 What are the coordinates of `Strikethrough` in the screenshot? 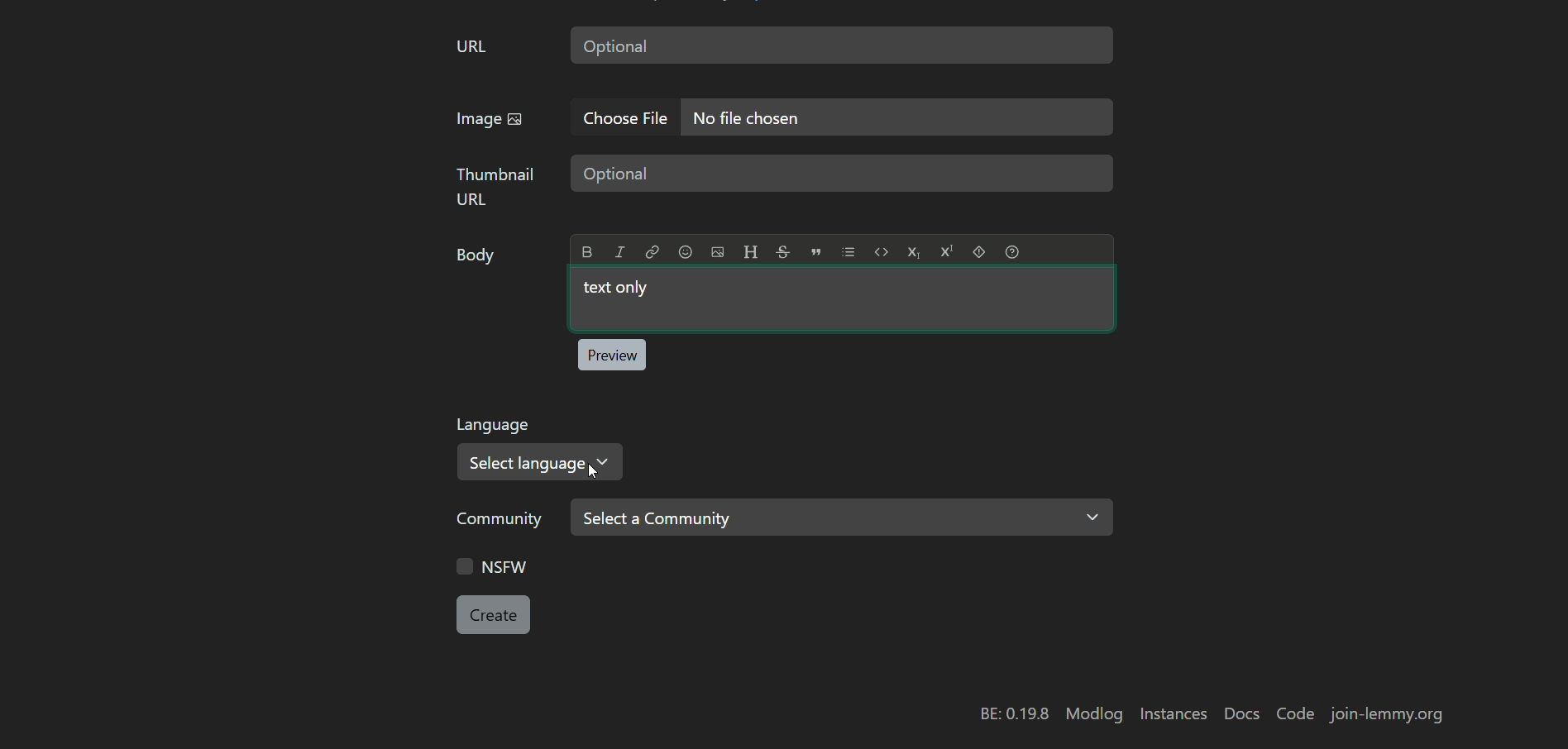 It's located at (783, 250).